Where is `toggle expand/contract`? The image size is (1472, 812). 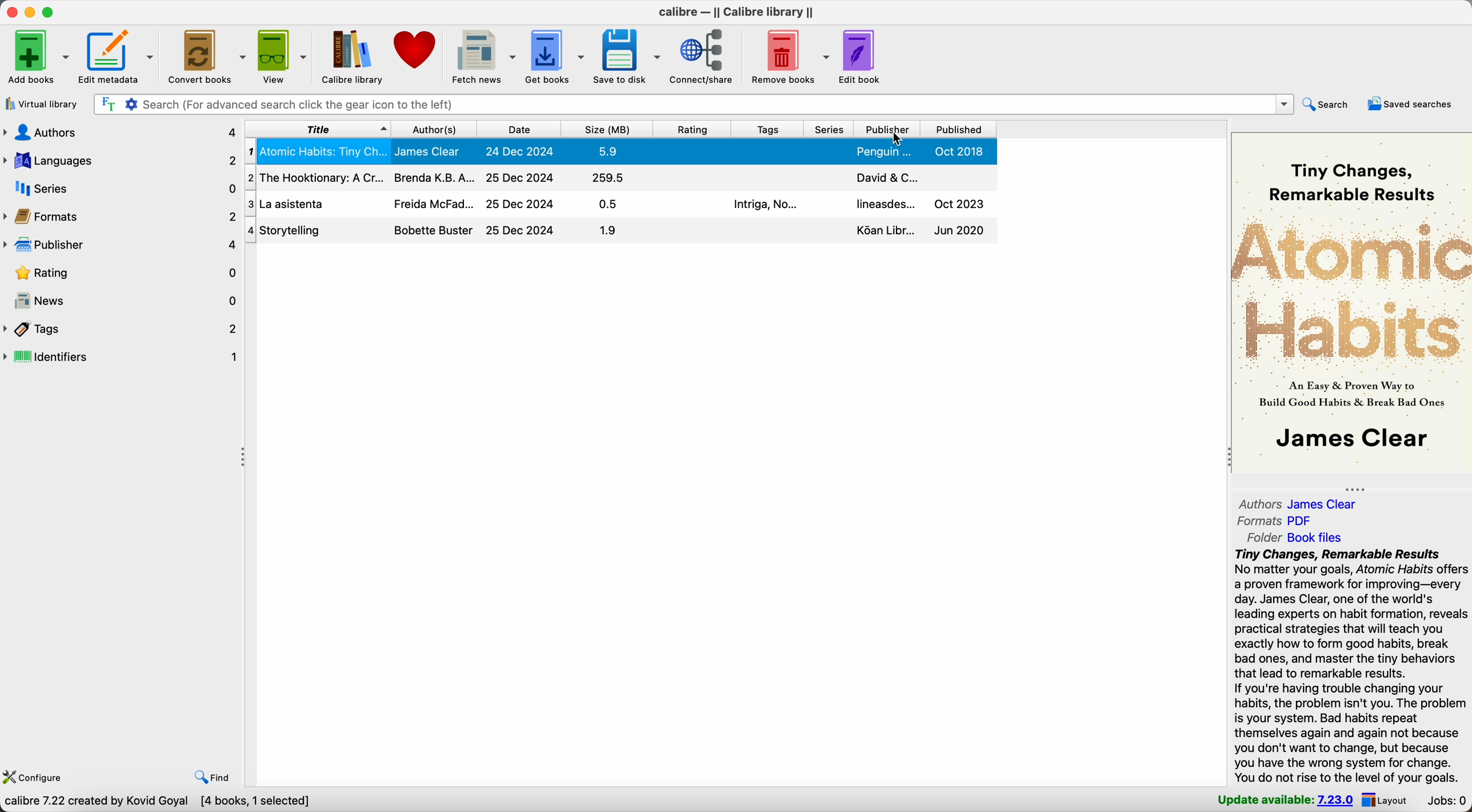 toggle expand/contract is located at coordinates (1229, 456).